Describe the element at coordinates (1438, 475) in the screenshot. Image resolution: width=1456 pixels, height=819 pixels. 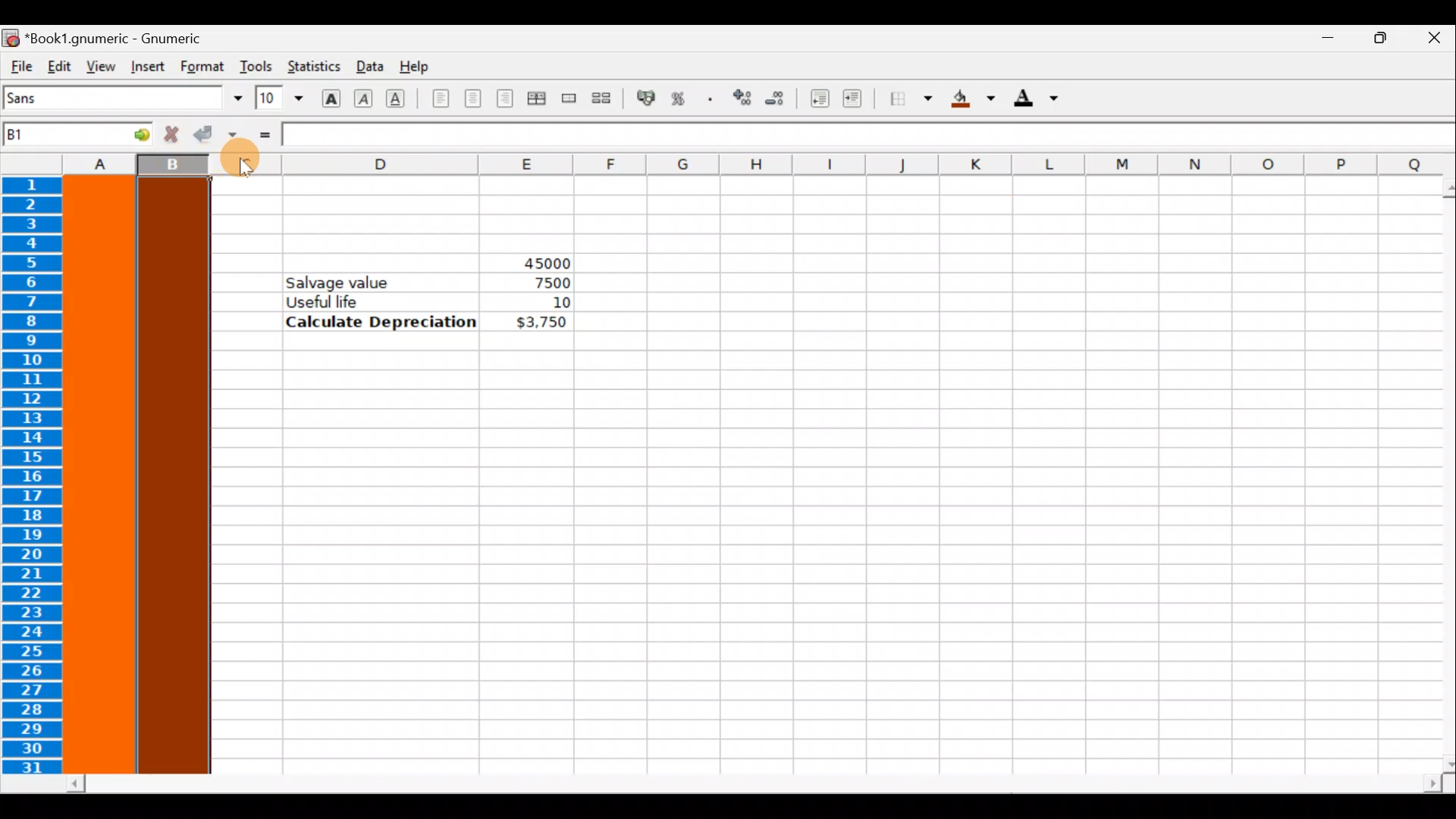
I see `Scroll bar` at that location.